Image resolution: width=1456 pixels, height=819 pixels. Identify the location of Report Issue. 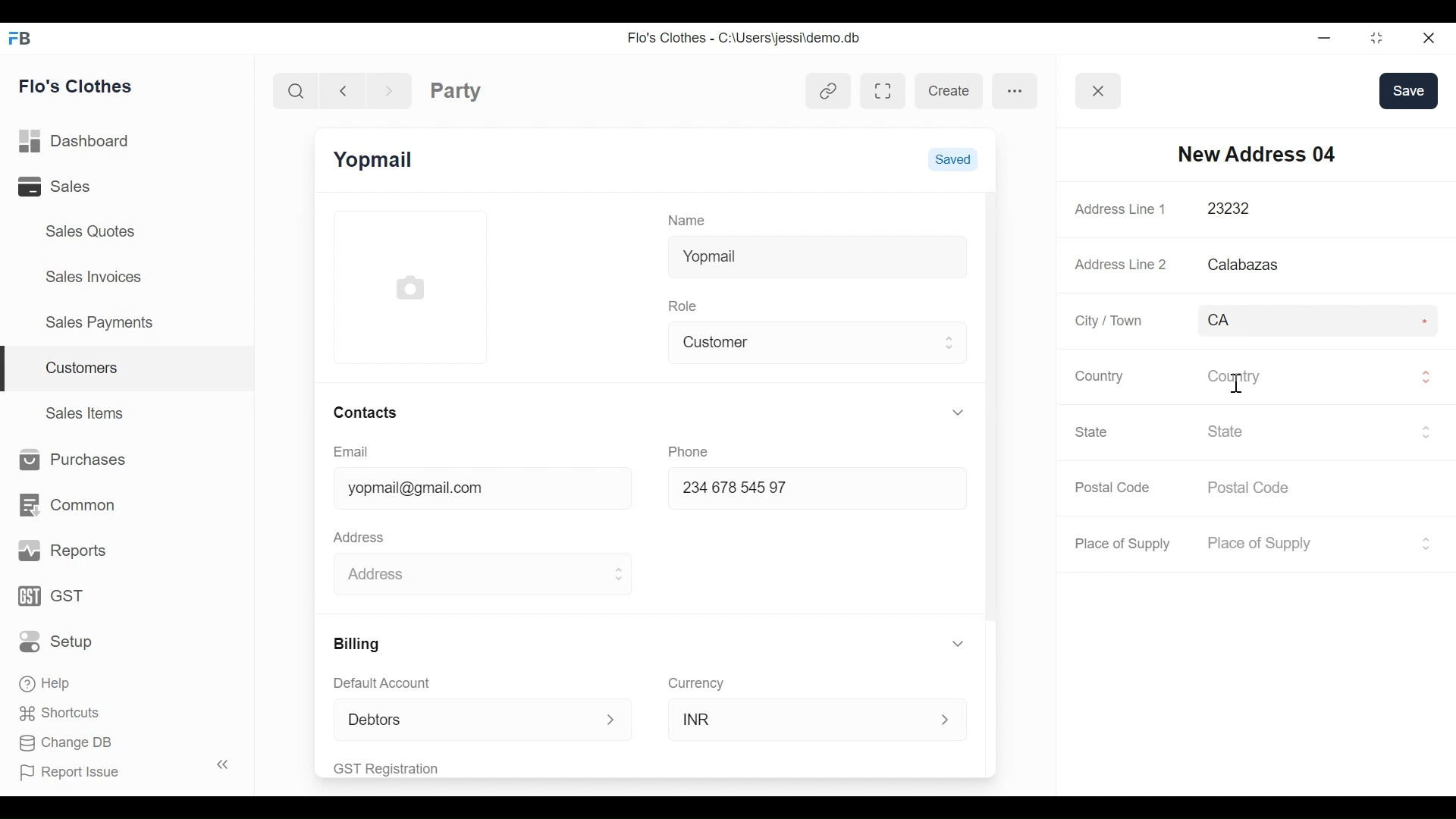
(117, 769).